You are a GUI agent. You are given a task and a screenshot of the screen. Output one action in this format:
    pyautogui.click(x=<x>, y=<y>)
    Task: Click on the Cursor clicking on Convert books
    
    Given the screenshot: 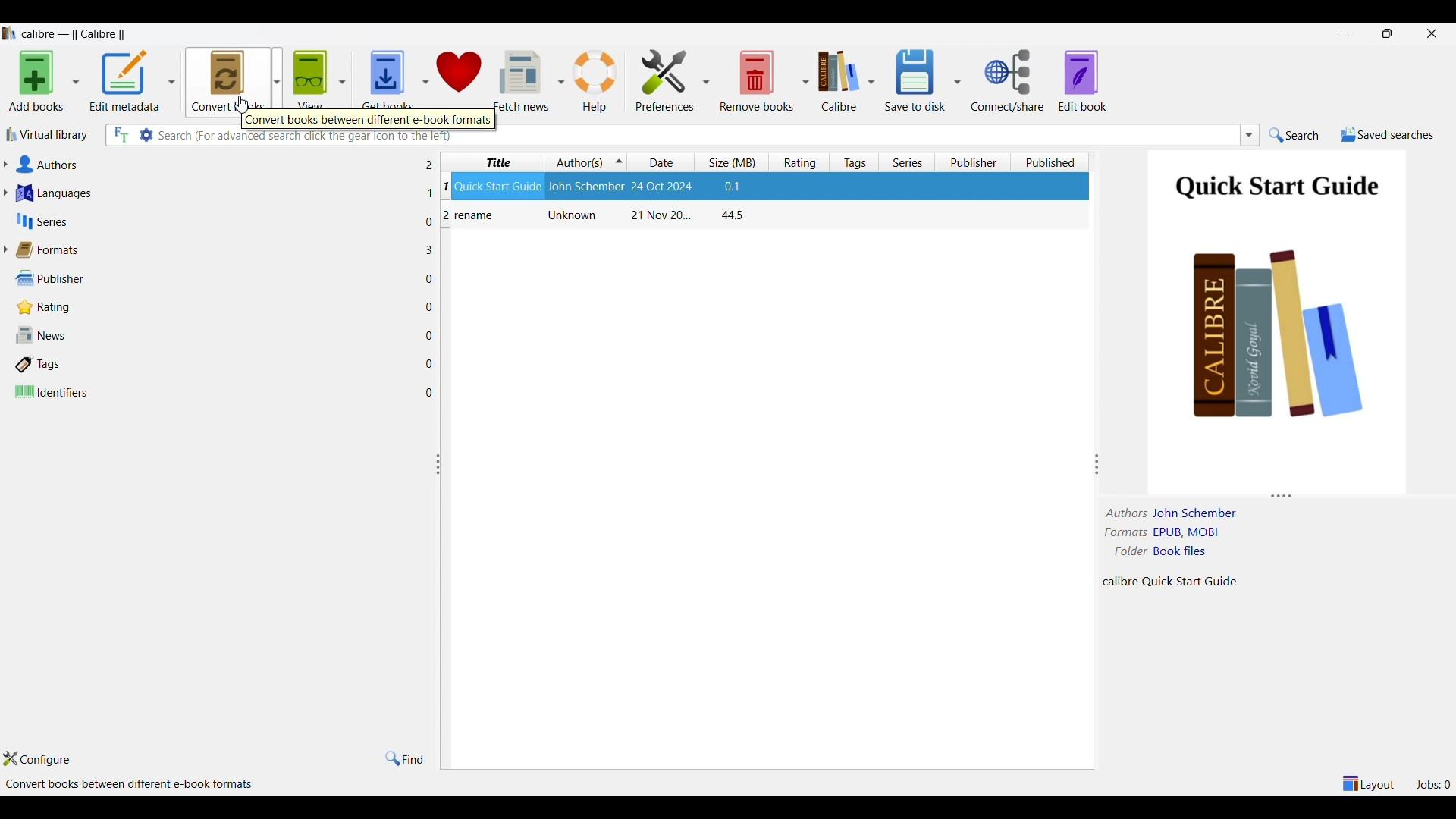 What is the action you would take?
    pyautogui.click(x=243, y=103)
    